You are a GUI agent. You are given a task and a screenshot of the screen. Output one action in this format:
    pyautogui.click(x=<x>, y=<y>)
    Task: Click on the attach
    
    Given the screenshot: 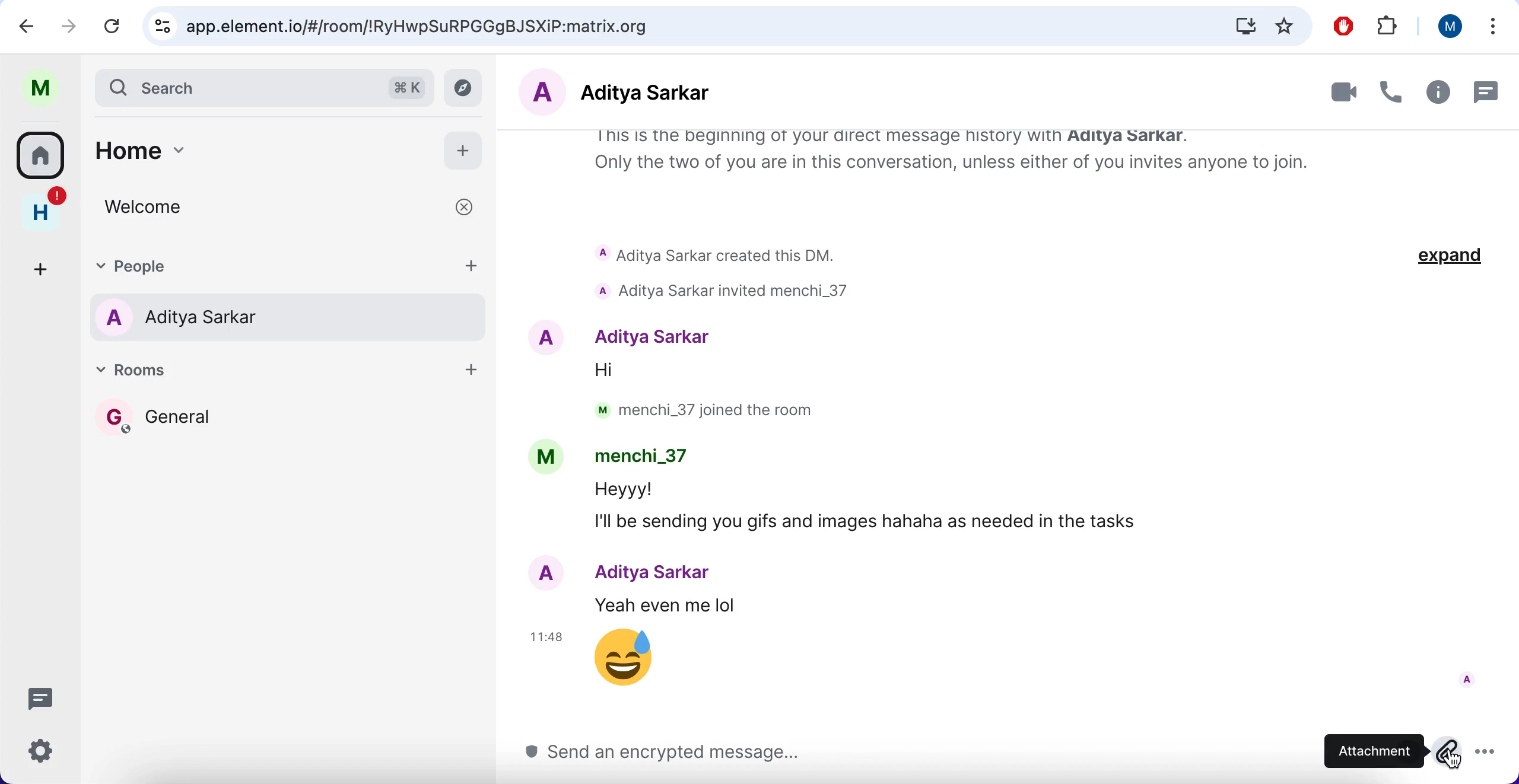 What is the action you would take?
    pyautogui.click(x=1447, y=748)
    